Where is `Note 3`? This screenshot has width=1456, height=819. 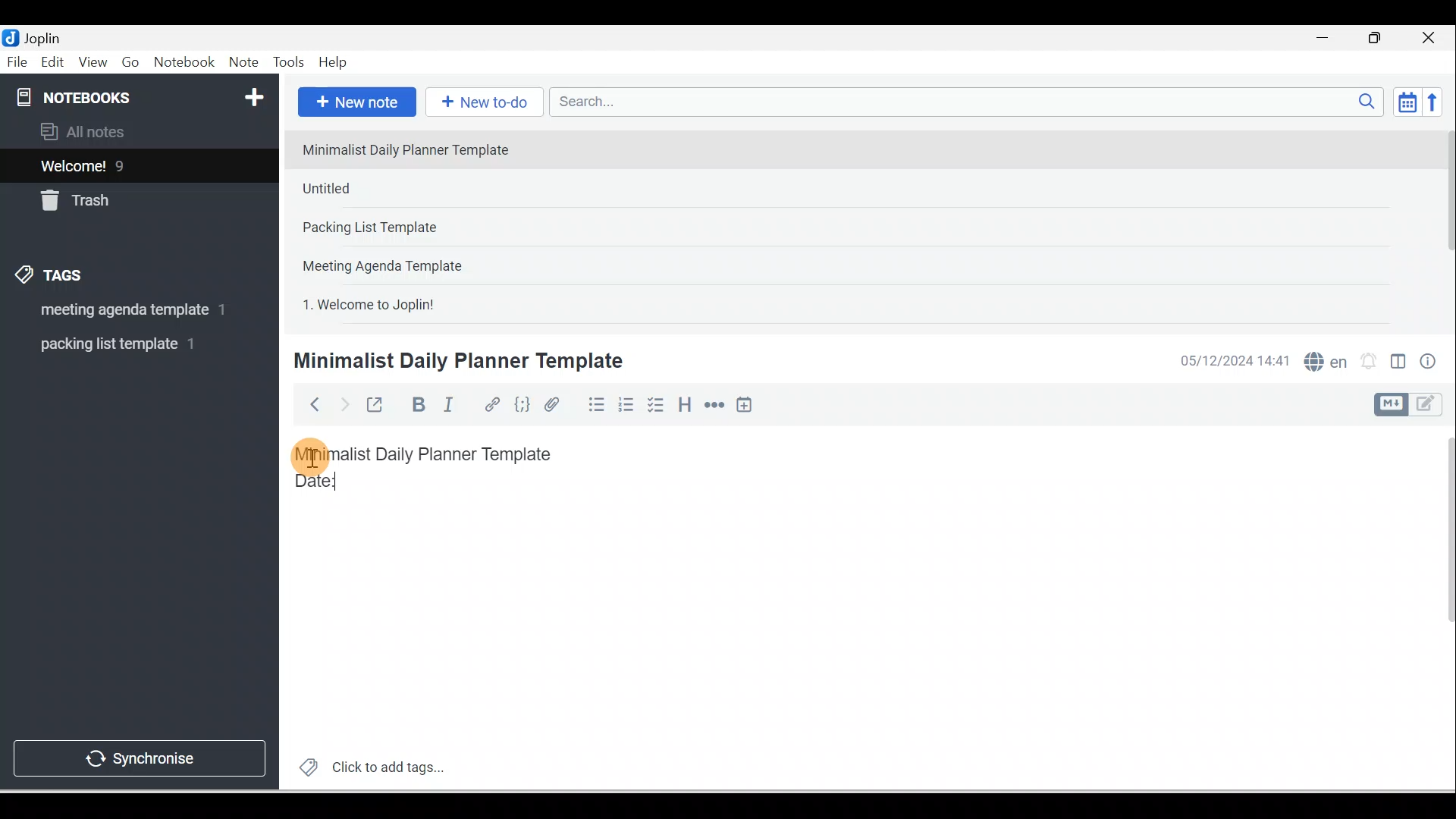
Note 3 is located at coordinates (418, 228).